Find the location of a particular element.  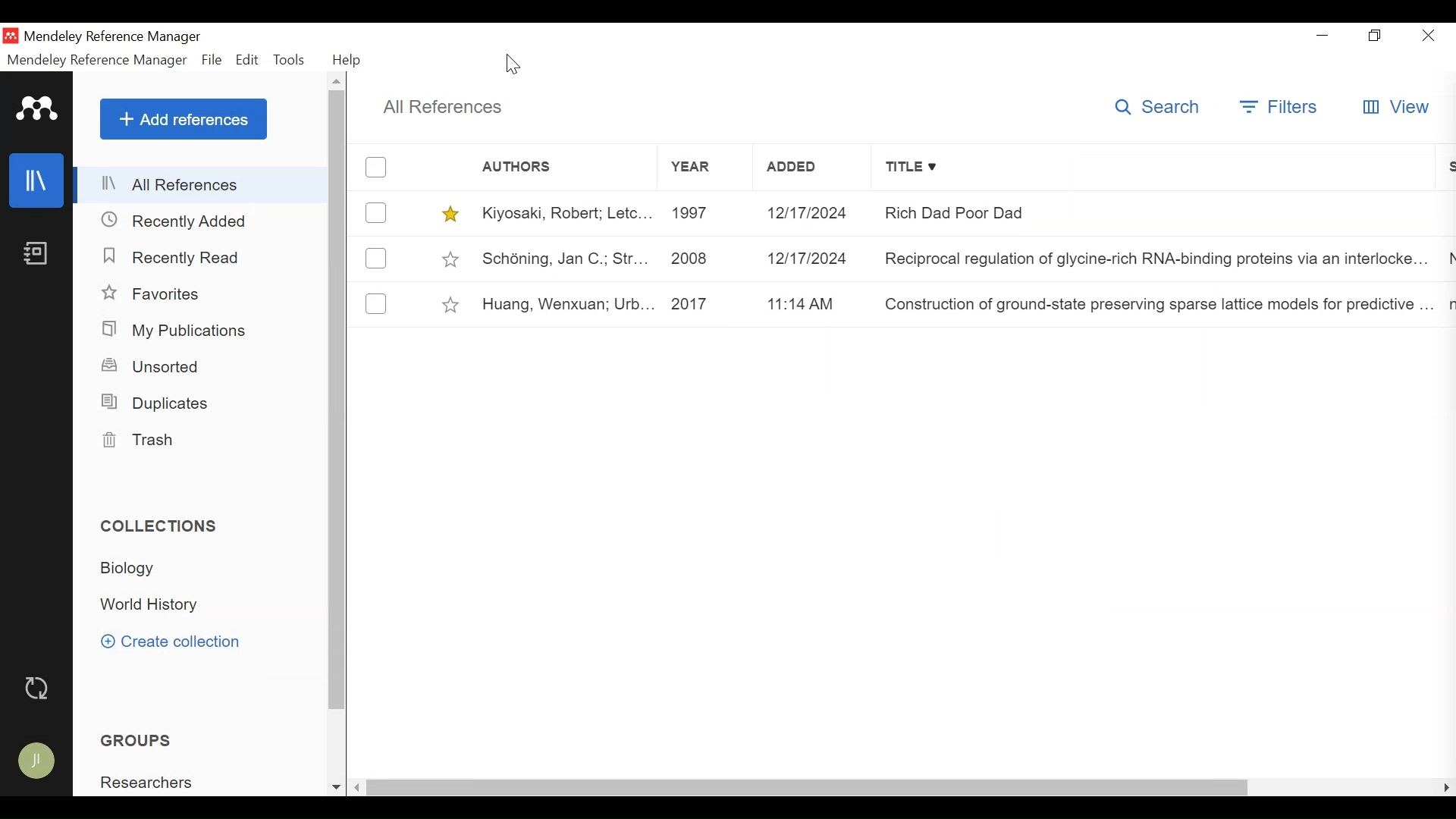

Search is located at coordinates (1154, 108).